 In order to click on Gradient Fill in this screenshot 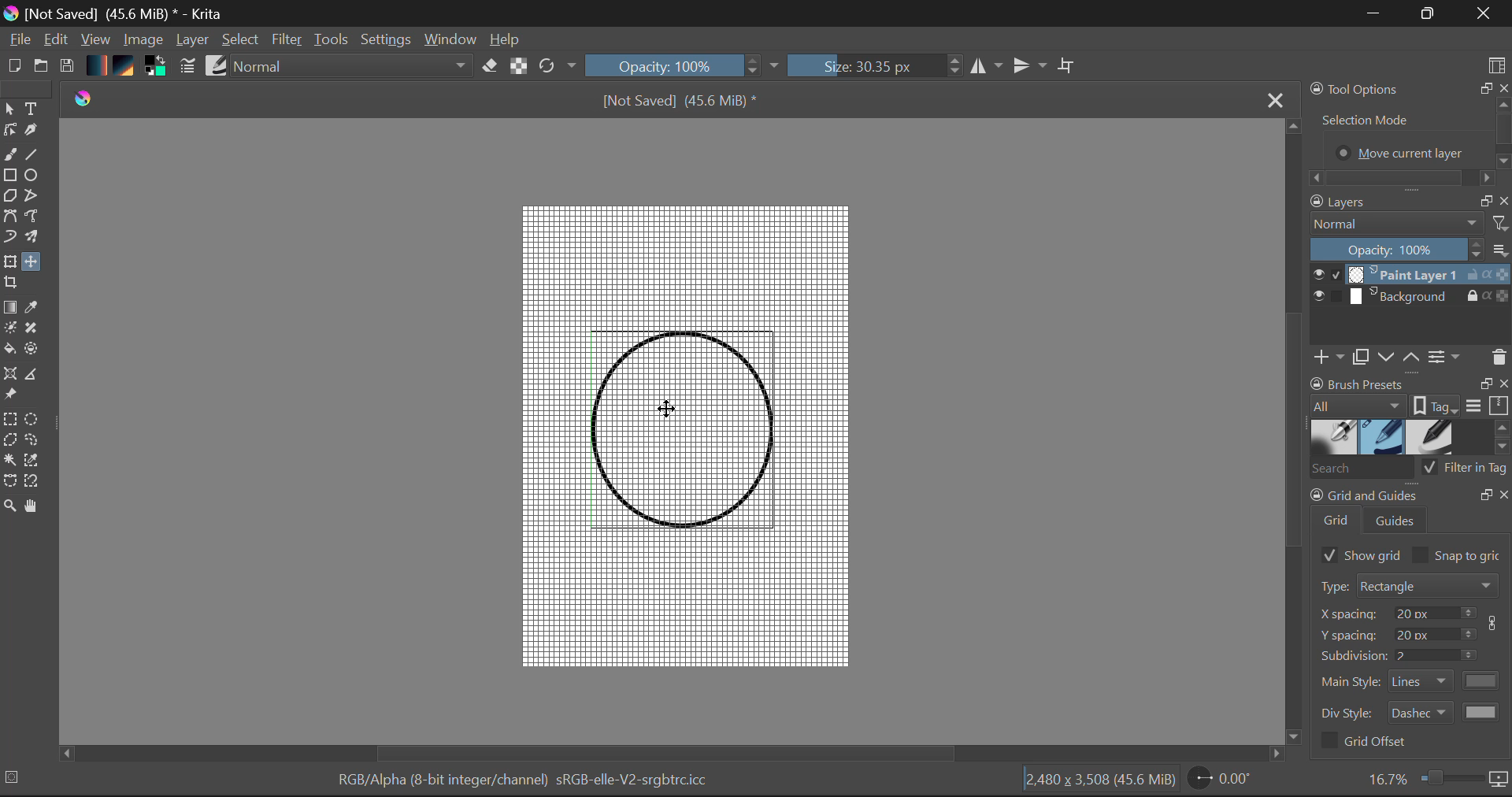, I will do `click(10, 306)`.